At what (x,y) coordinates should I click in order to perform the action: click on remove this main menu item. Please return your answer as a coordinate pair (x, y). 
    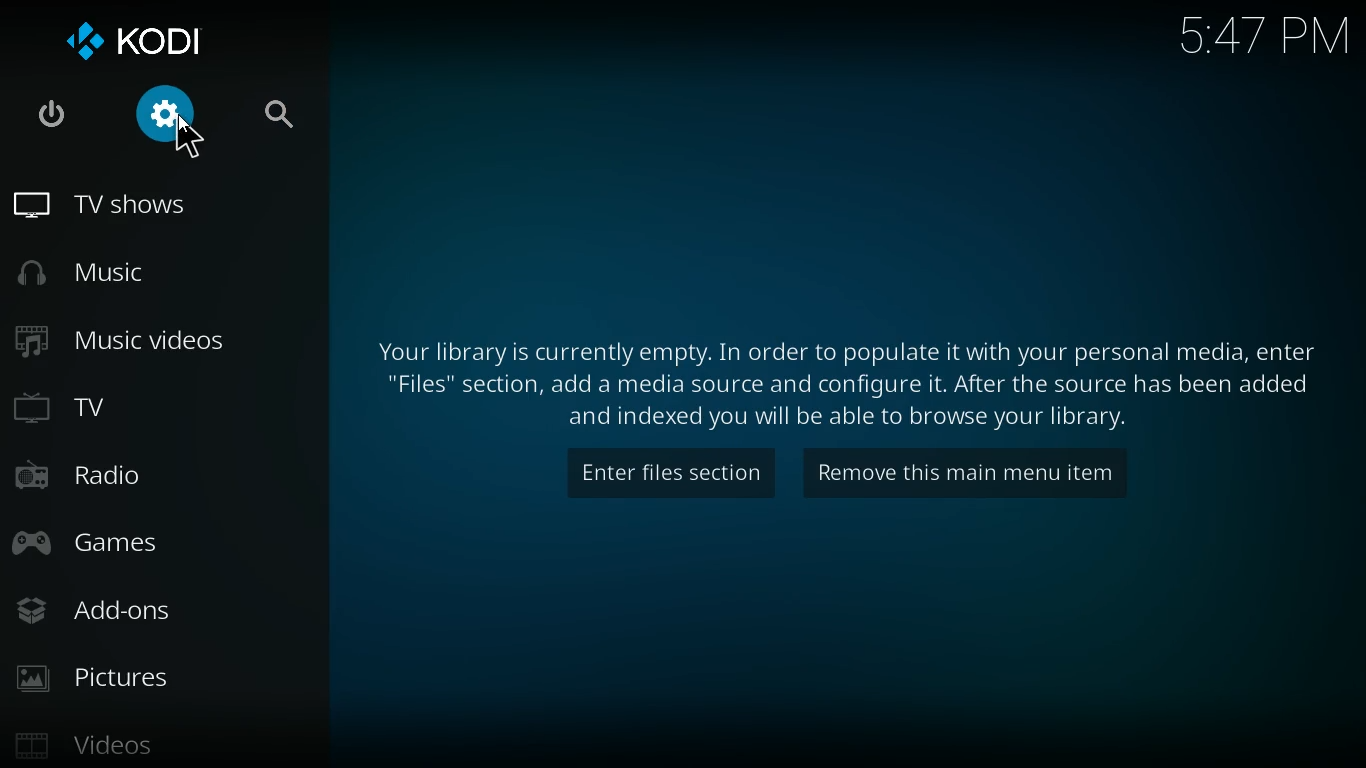
    Looking at the image, I should click on (965, 472).